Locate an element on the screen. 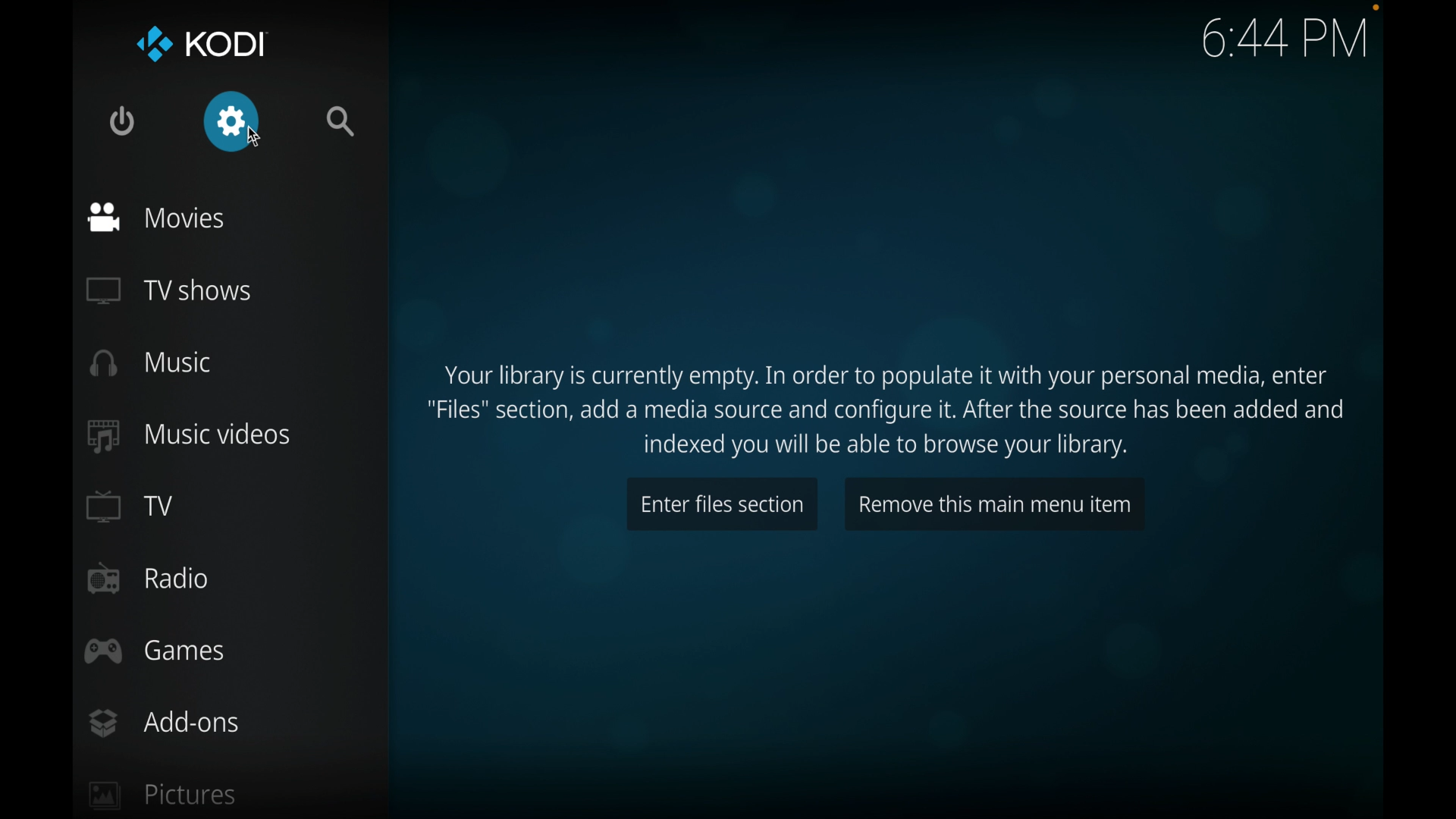  tv shows is located at coordinates (169, 290).